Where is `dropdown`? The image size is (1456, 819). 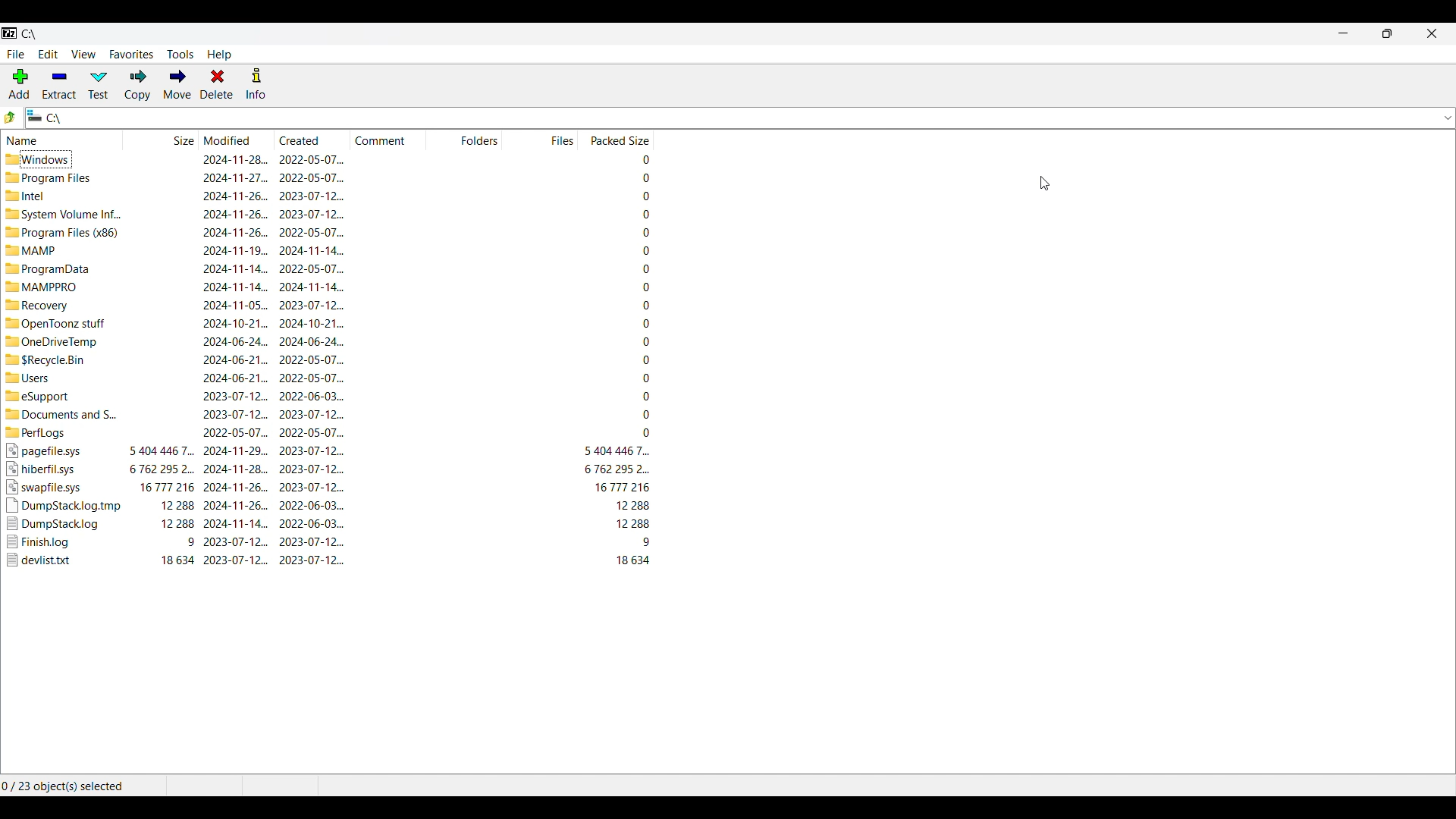 dropdown is located at coordinates (1446, 118).